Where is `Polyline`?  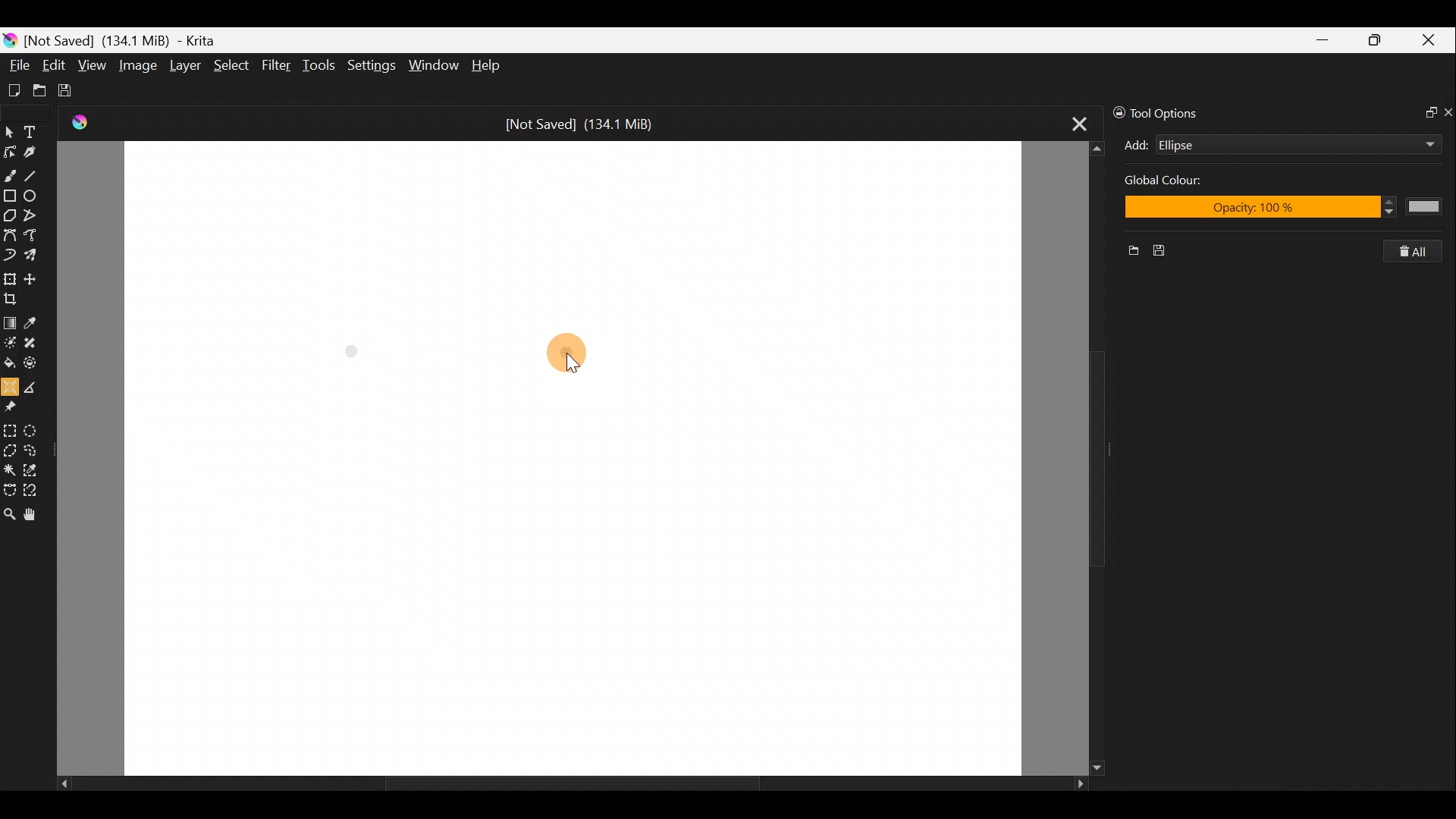
Polyline is located at coordinates (35, 216).